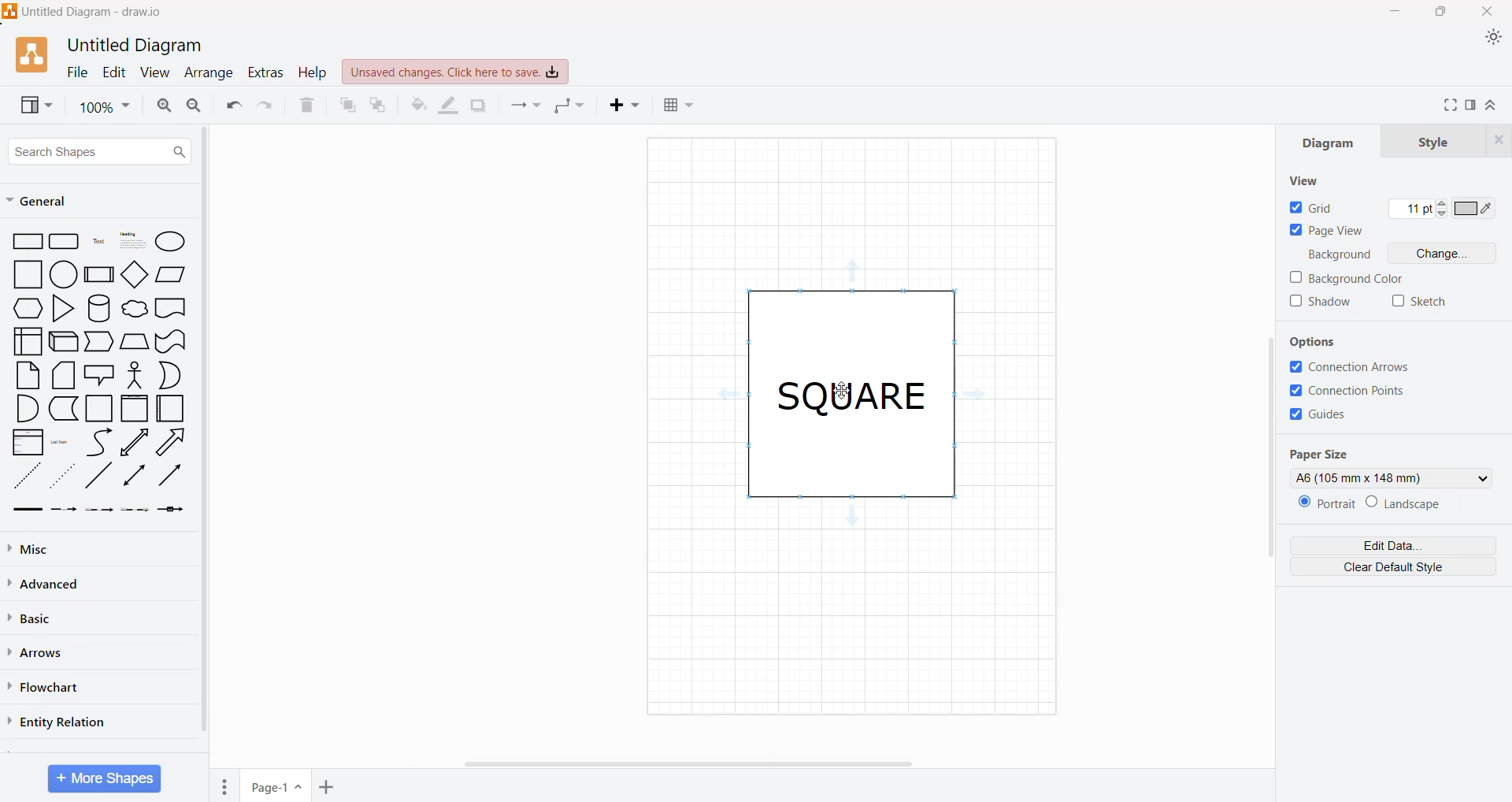 The height and width of the screenshot is (802, 1512). What do you see at coordinates (624, 105) in the screenshot?
I see `Insert` at bounding box center [624, 105].